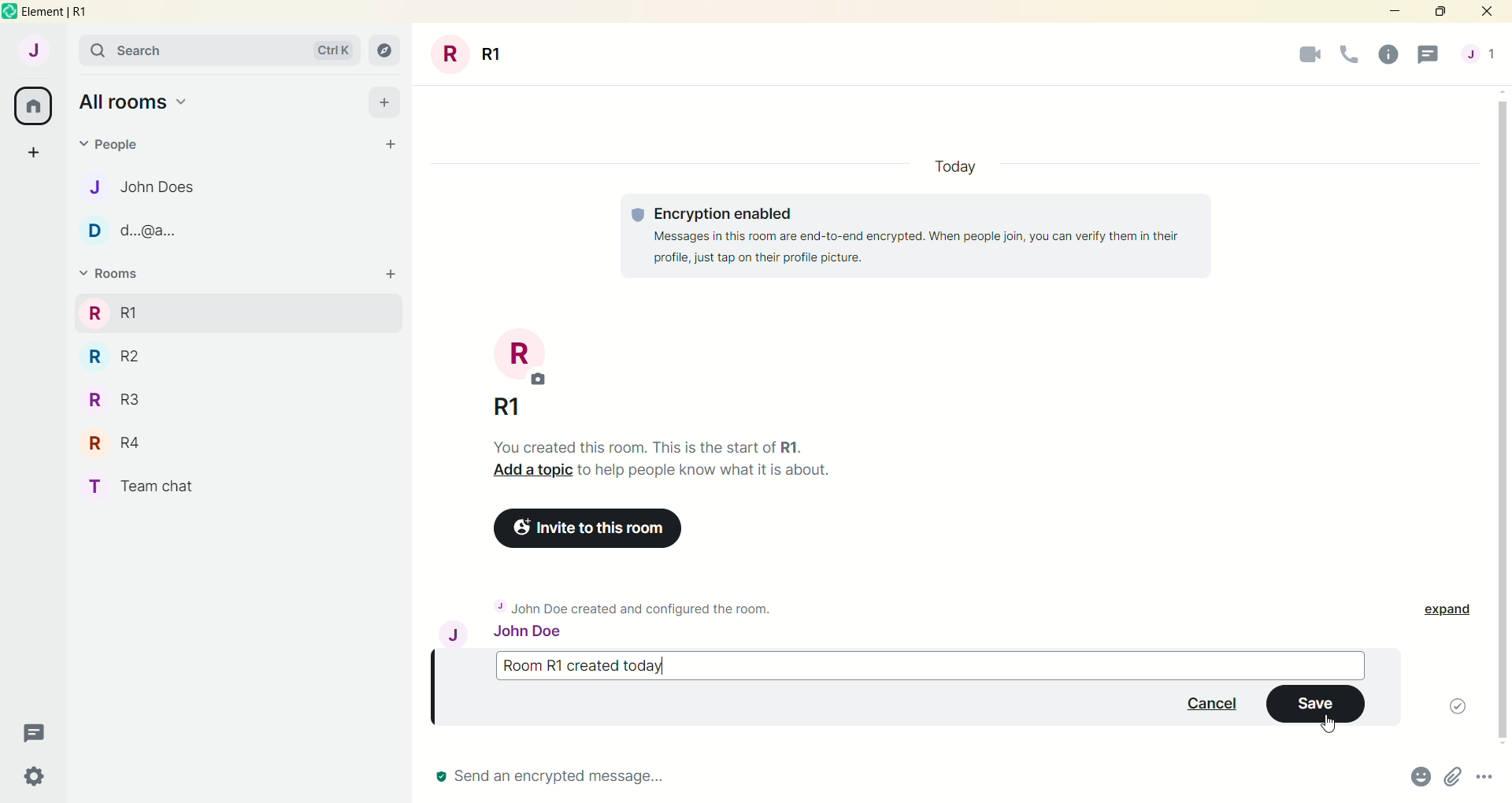 This screenshot has width=1512, height=803. I want to click on maximize, so click(1440, 13).